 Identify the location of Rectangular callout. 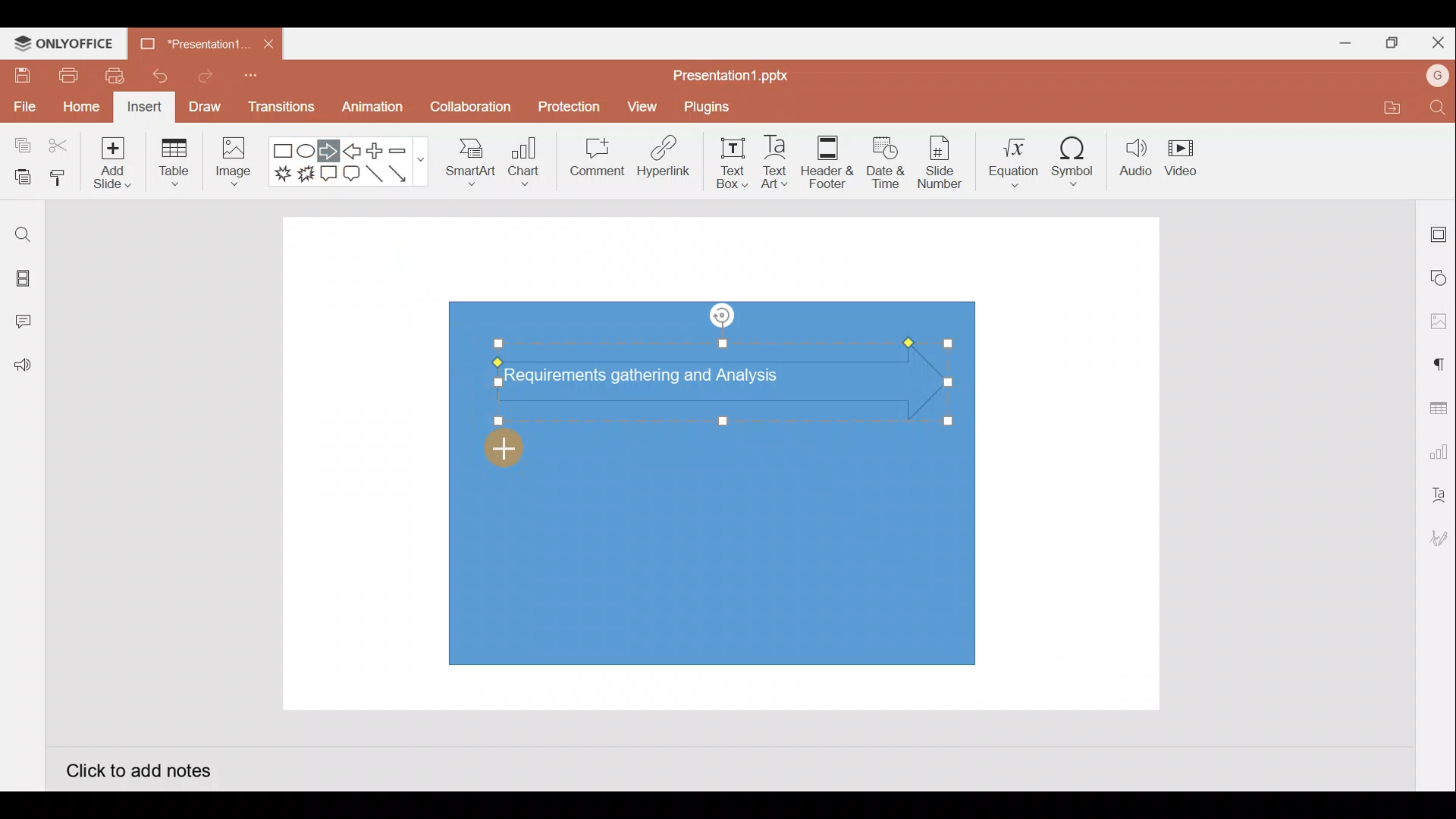
(329, 174).